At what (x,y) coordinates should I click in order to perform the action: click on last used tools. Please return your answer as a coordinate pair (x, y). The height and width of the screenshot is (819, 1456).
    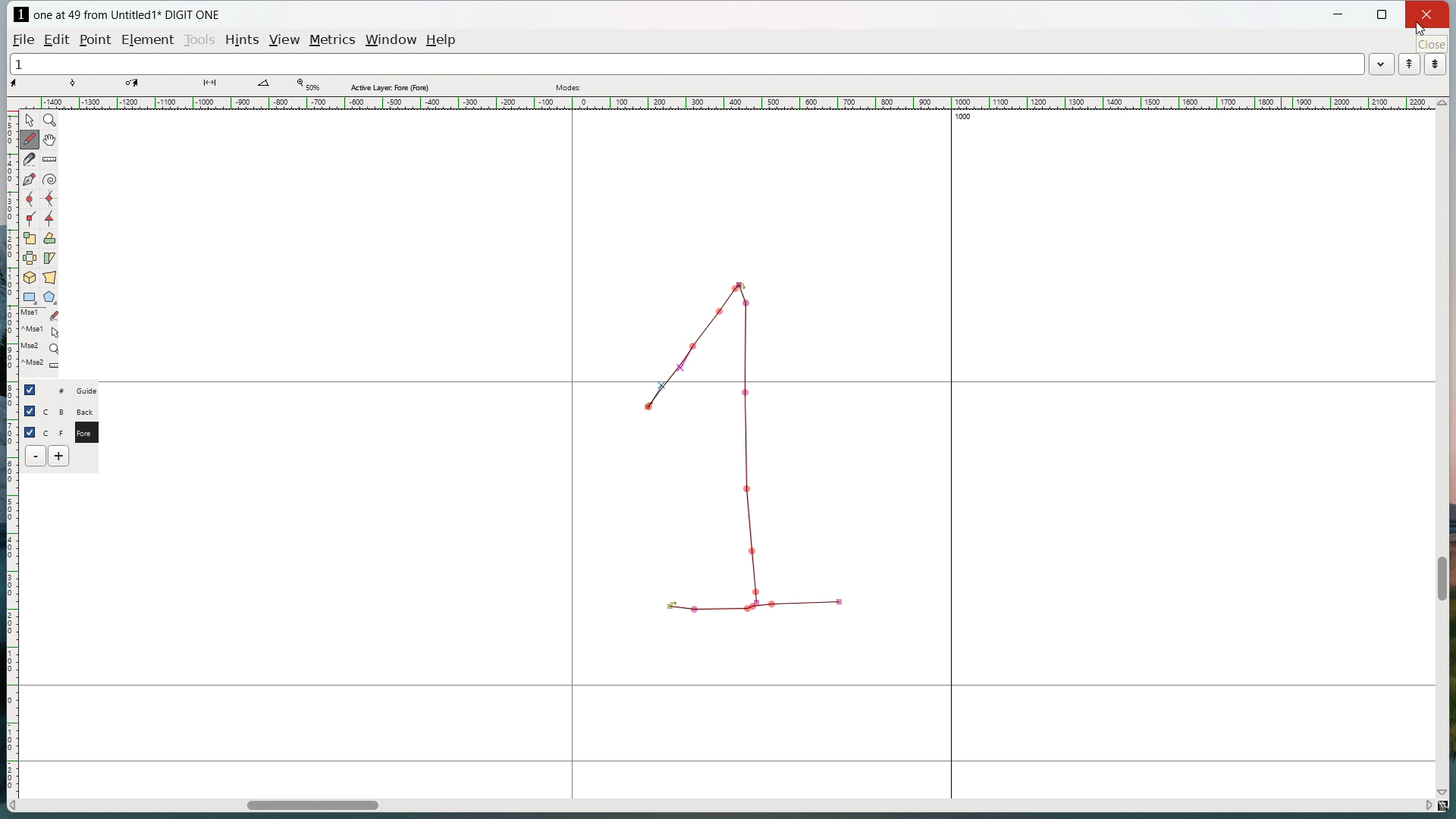
    Looking at the image, I should click on (39, 343).